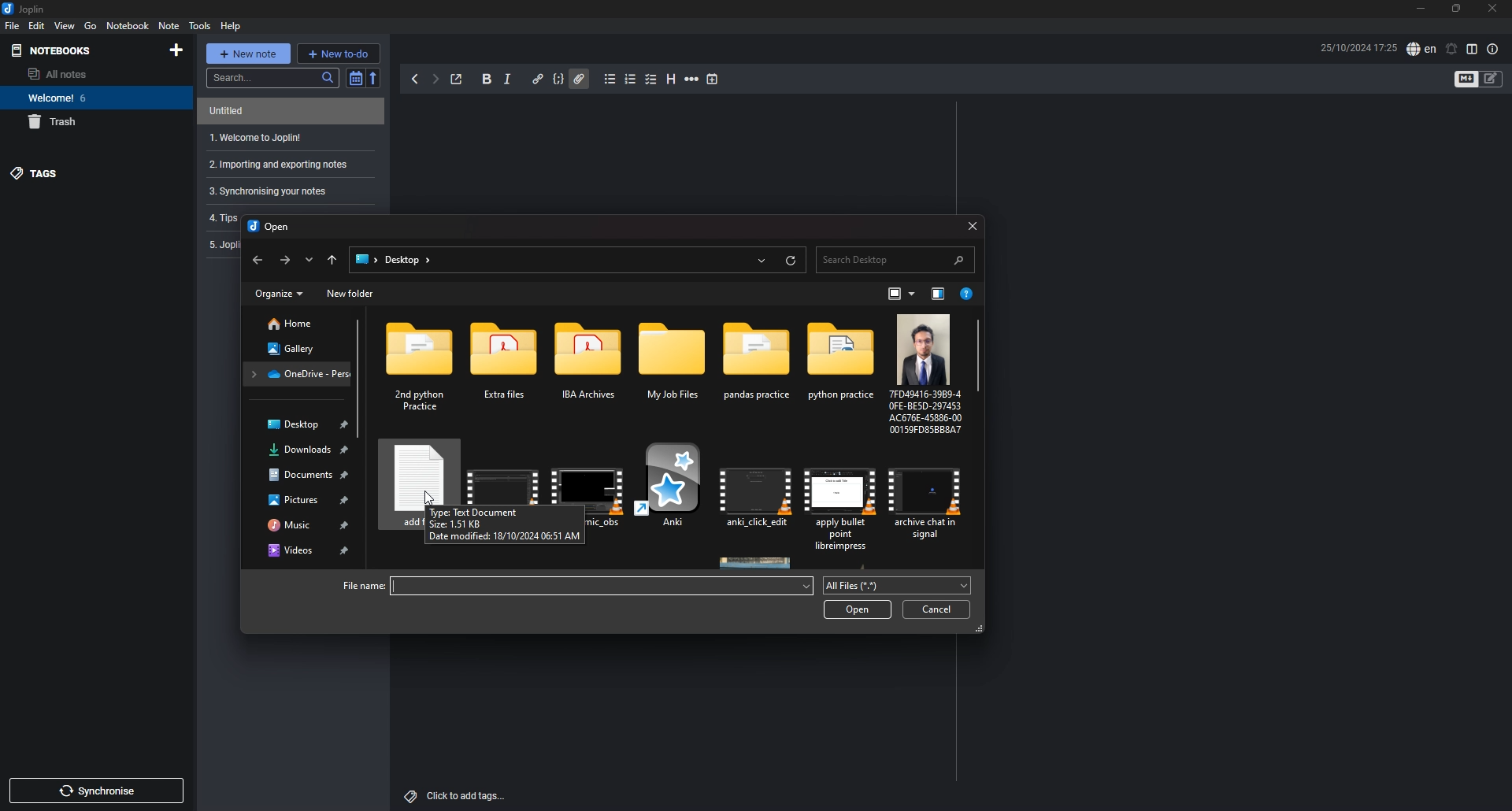 This screenshot has height=811, width=1512. I want to click on resize, so click(1458, 8).